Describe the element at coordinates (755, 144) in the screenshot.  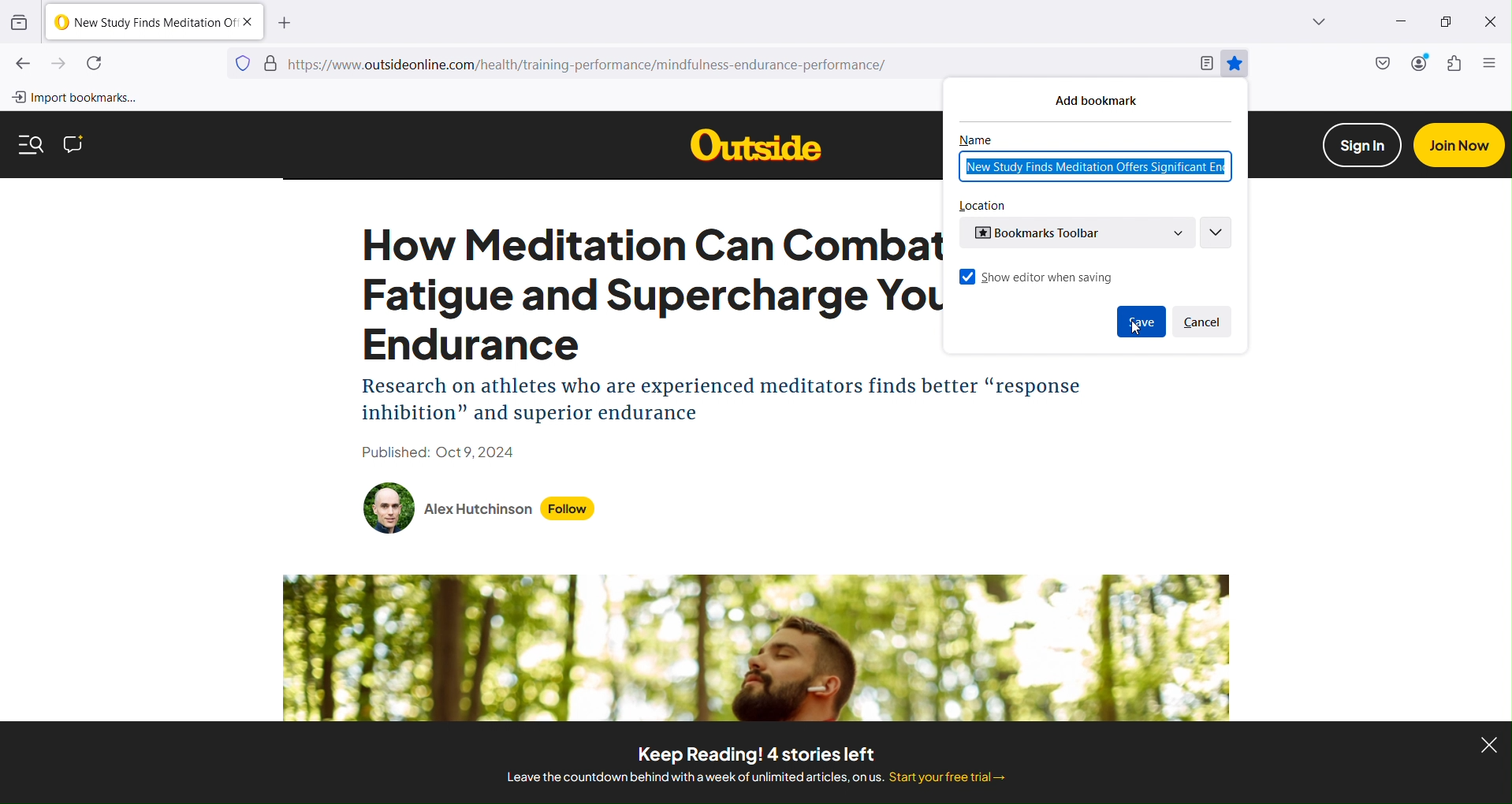
I see `` at that location.